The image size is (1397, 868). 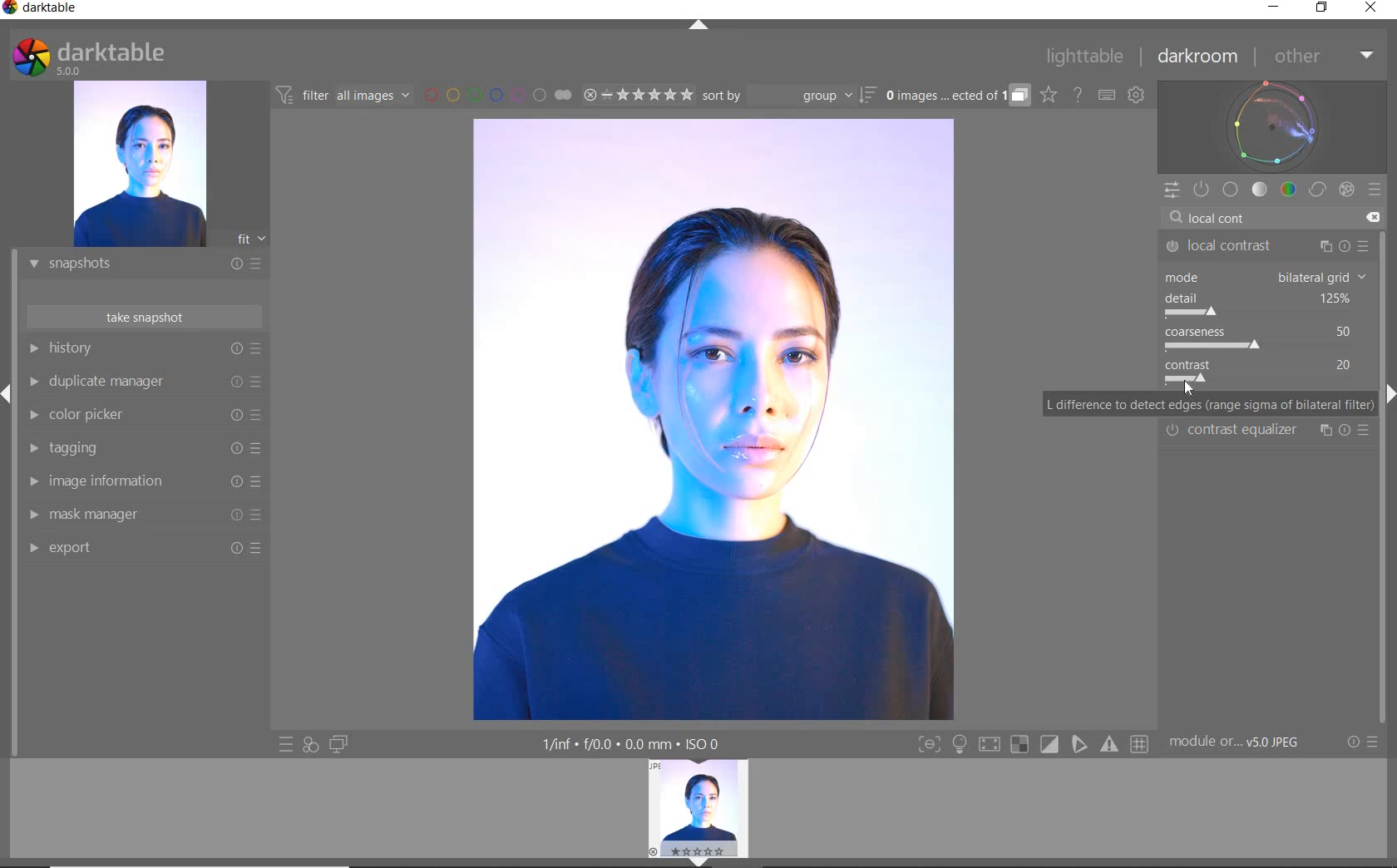 What do you see at coordinates (88, 57) in the screenshot?
I see `SYSTEM LOGO` at bounding box center [88, 57].